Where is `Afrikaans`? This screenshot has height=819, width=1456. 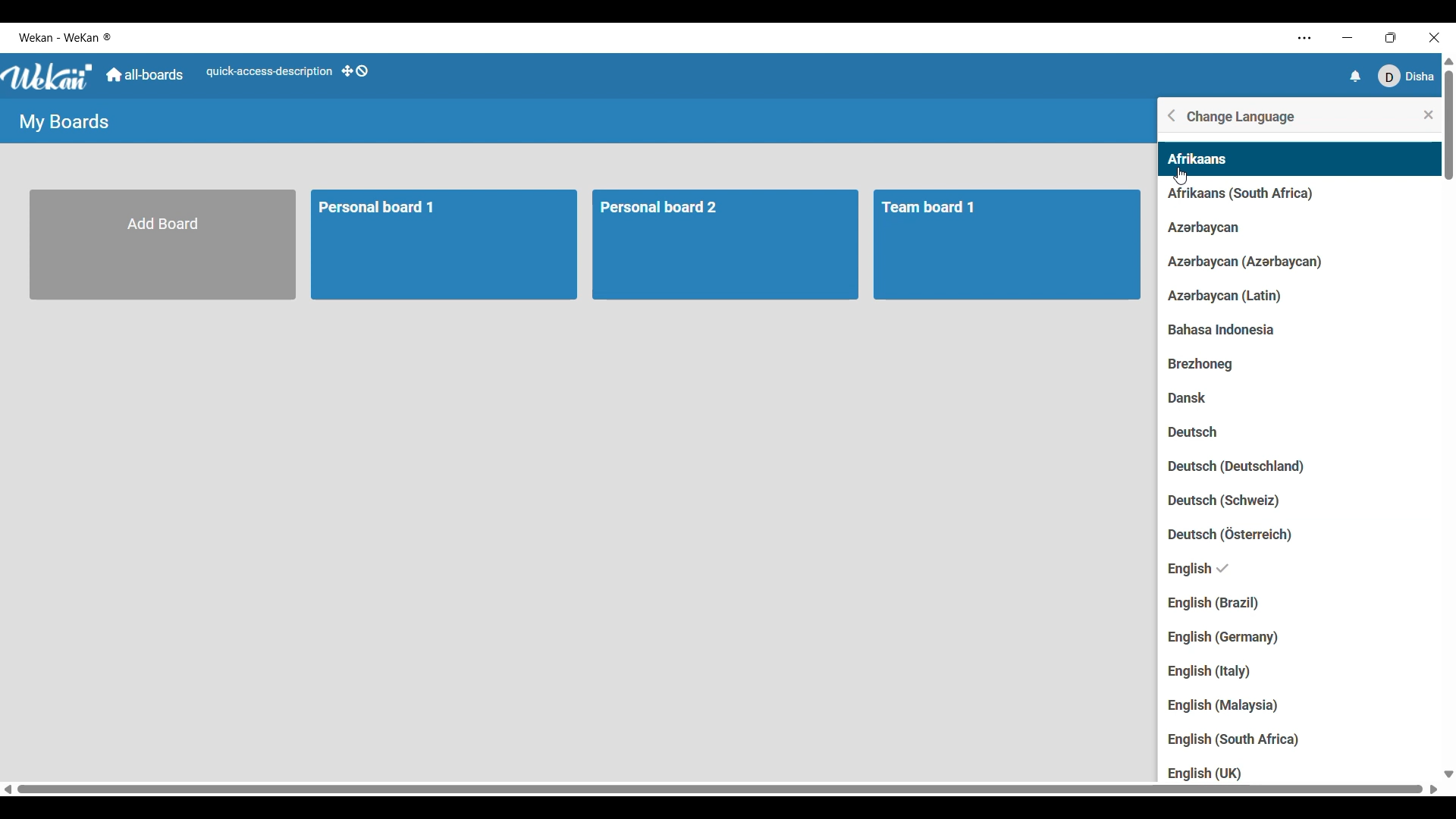
Afrikaans is located at coordinates (1196, 161).